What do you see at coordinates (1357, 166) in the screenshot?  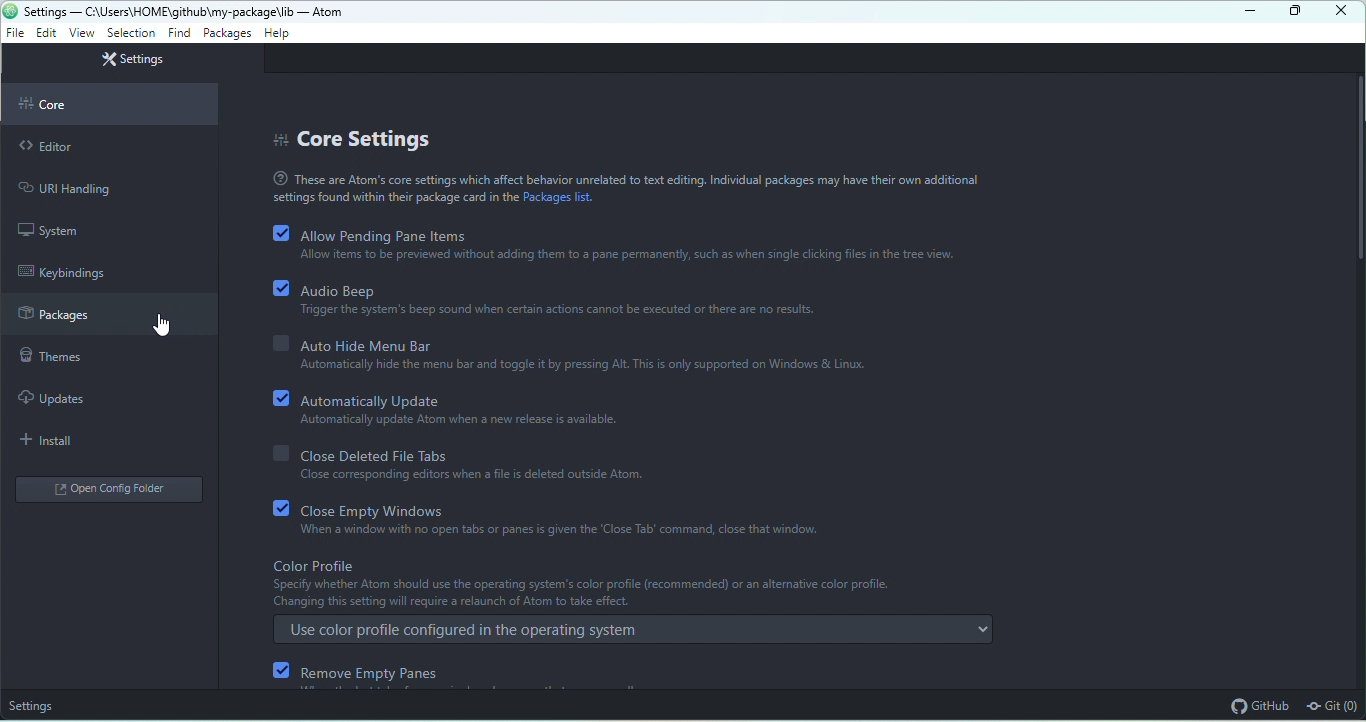 I see `vertical scrollbar` at bounding box center [1357, 166].